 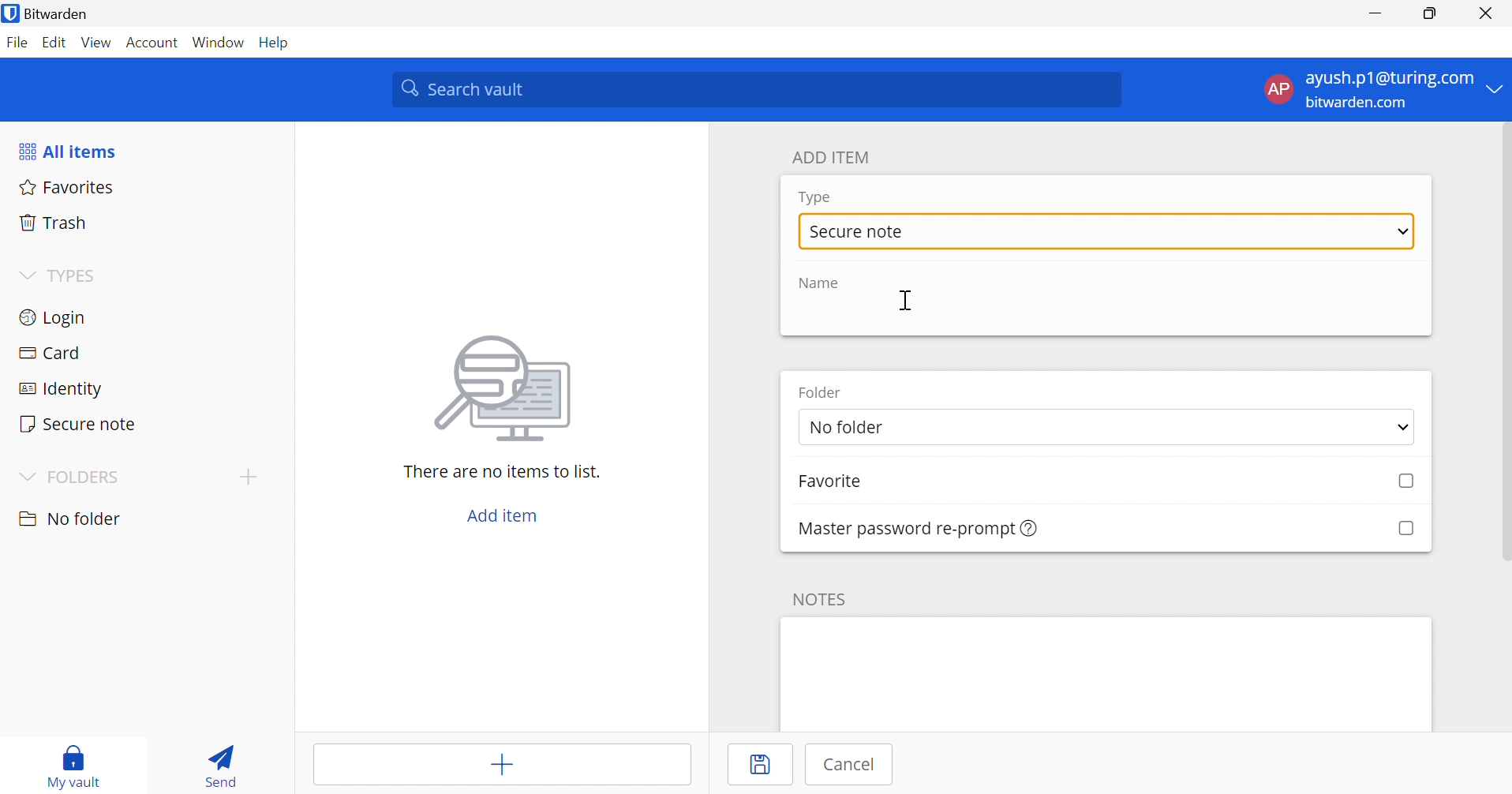 I want to click on My vault, so click(x=80, y=755).